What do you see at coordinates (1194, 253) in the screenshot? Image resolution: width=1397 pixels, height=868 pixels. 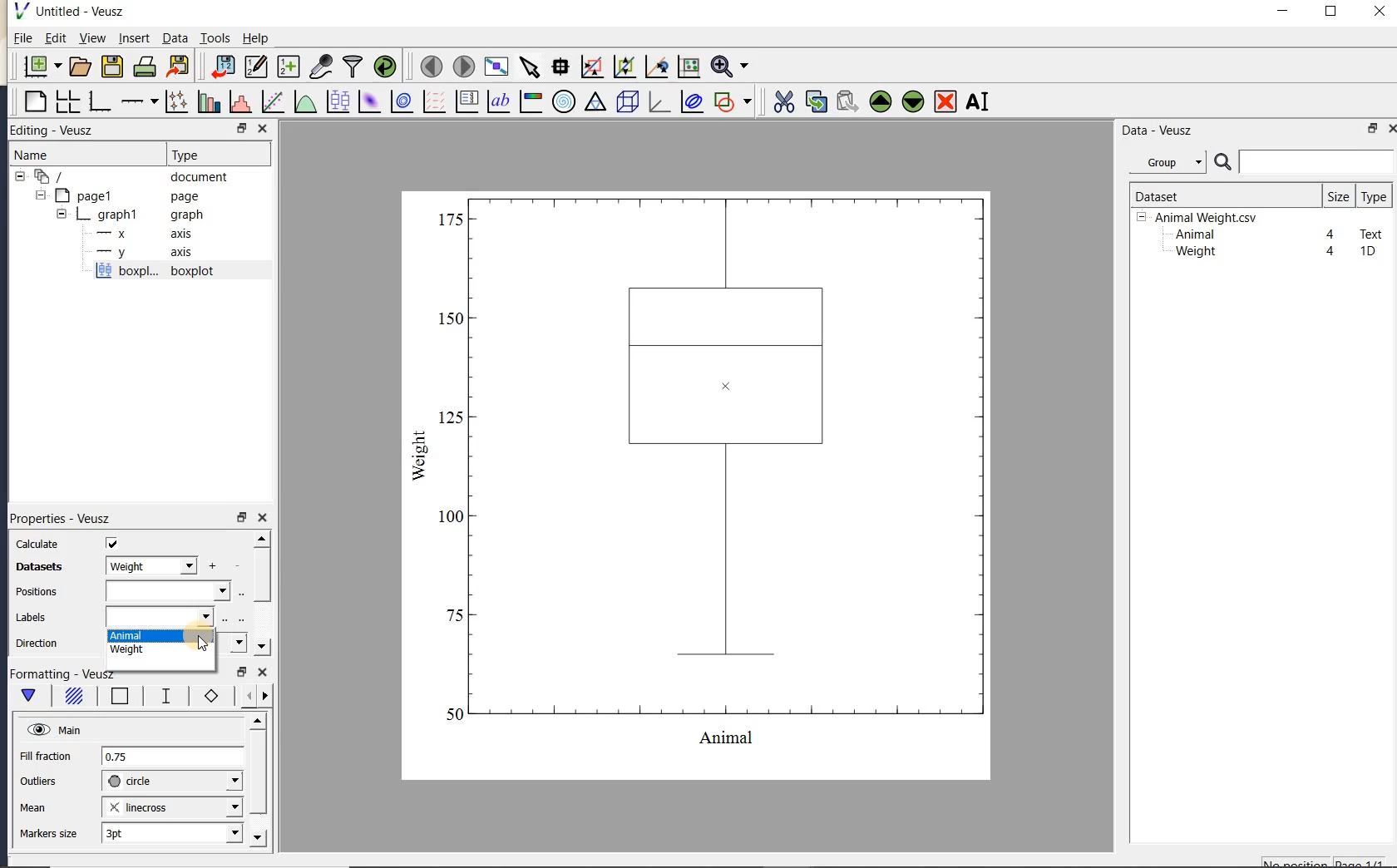 I see `Weight` at bounding box center [1194, 253].